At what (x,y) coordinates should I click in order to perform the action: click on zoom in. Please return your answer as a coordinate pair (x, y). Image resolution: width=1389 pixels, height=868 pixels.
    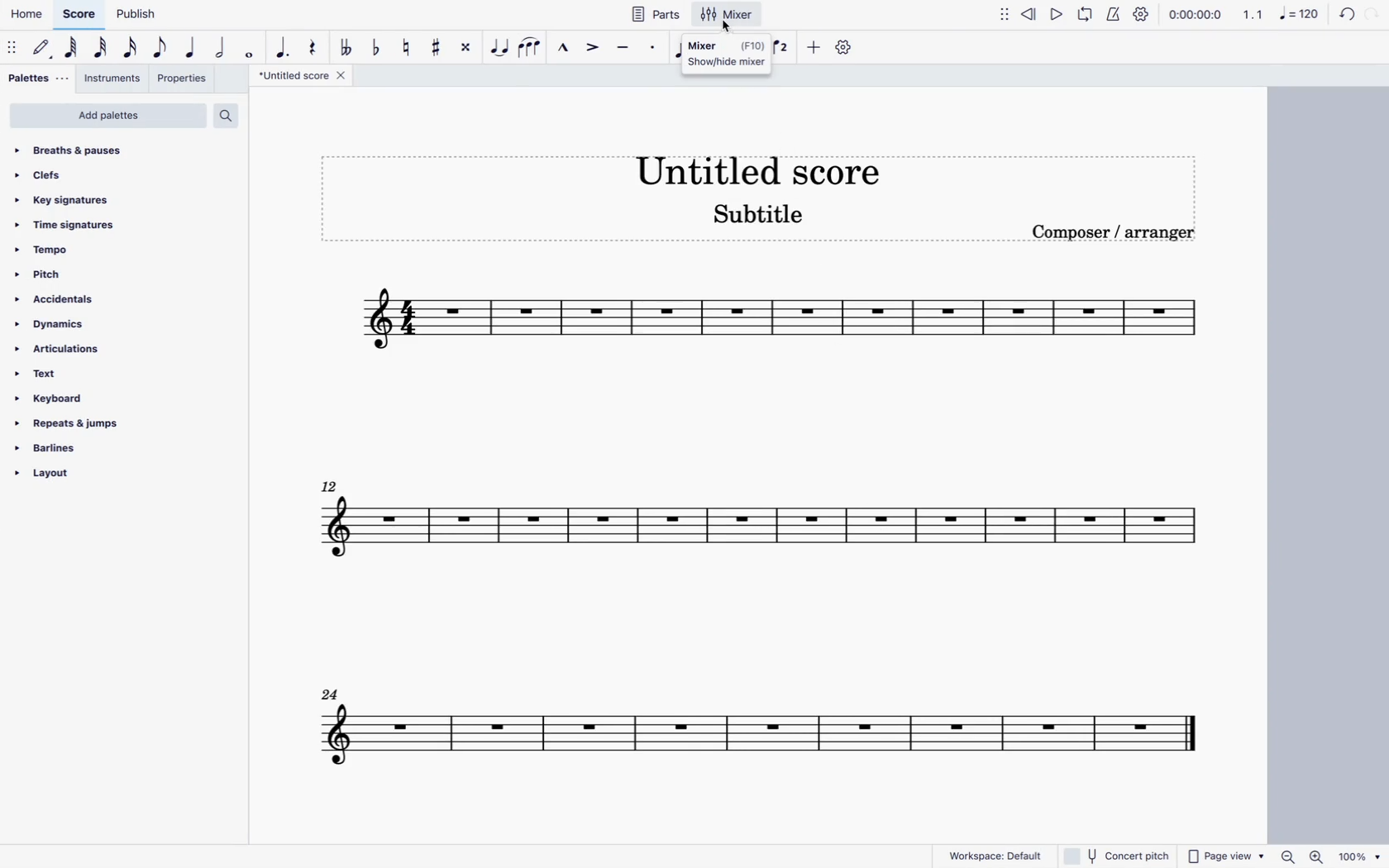
    Looking at the image, I should click on (1318, 855).